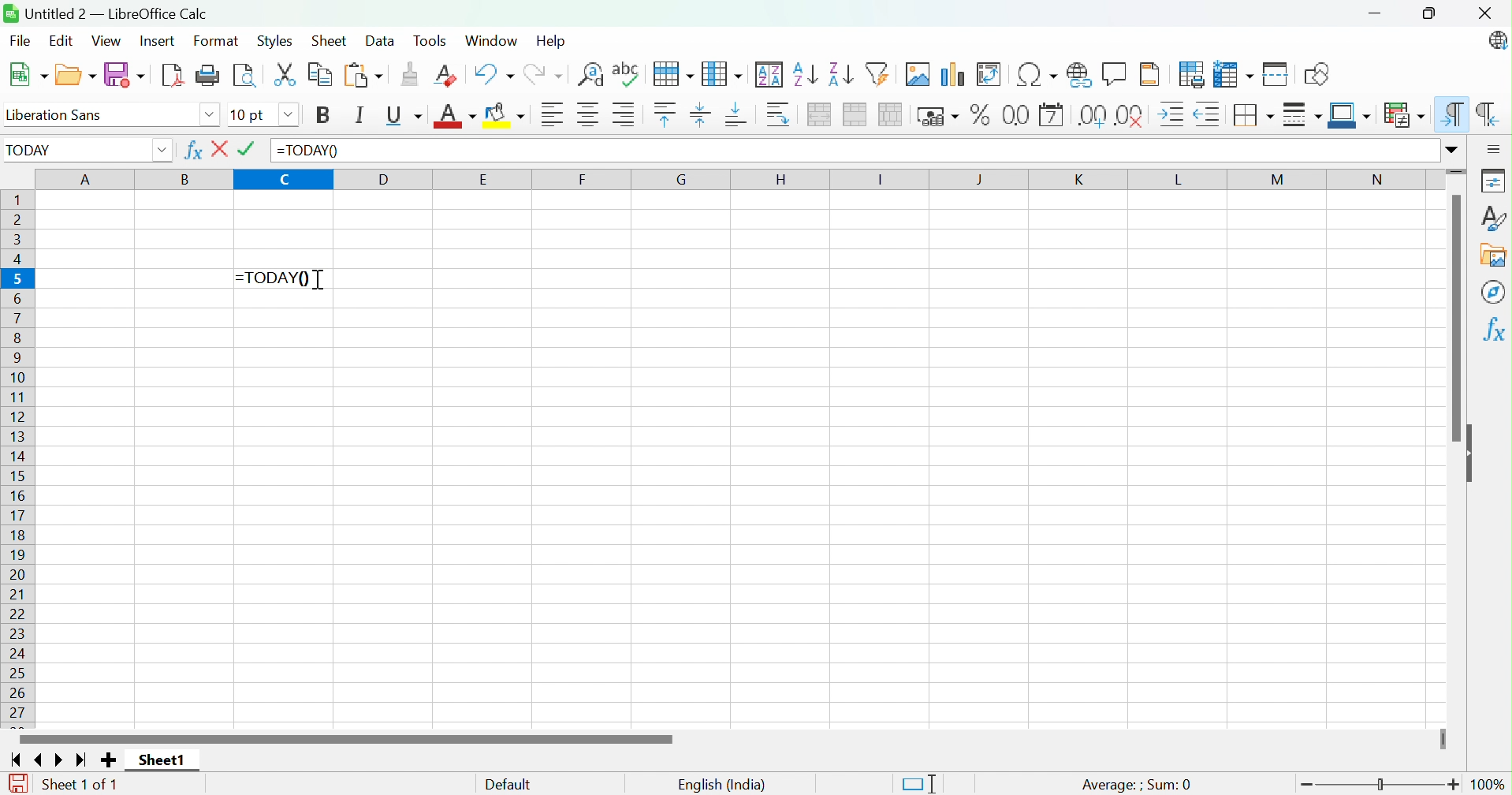  What do you see at coordinates (286, 75) in the screenshot?
I see `Cut` at bounding box center [286, 75].